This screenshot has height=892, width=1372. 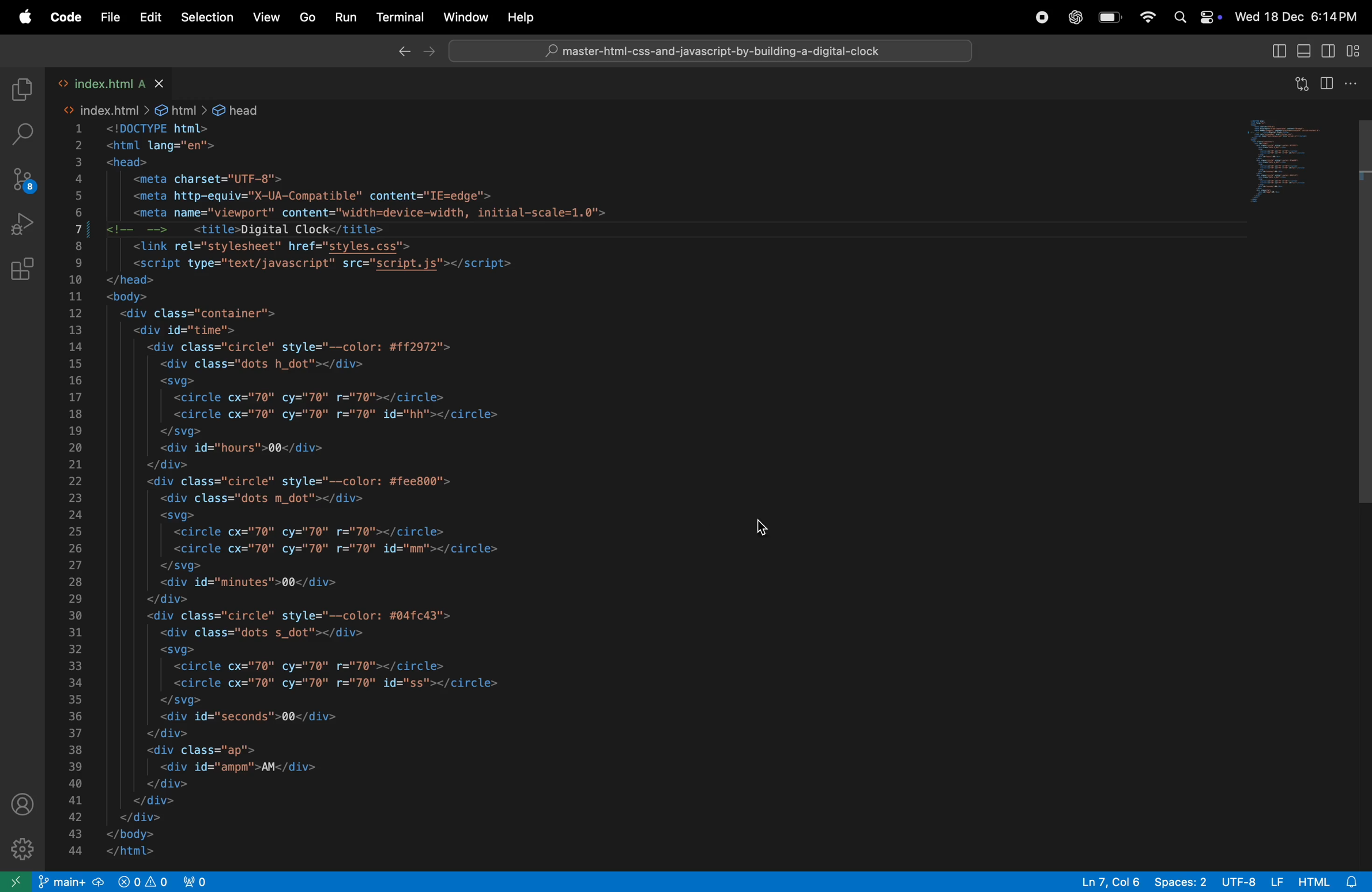 What do you see at coordinates (1332, 881) in the screenshot?
I see `html alert ` at bounding box center [1332, 881].